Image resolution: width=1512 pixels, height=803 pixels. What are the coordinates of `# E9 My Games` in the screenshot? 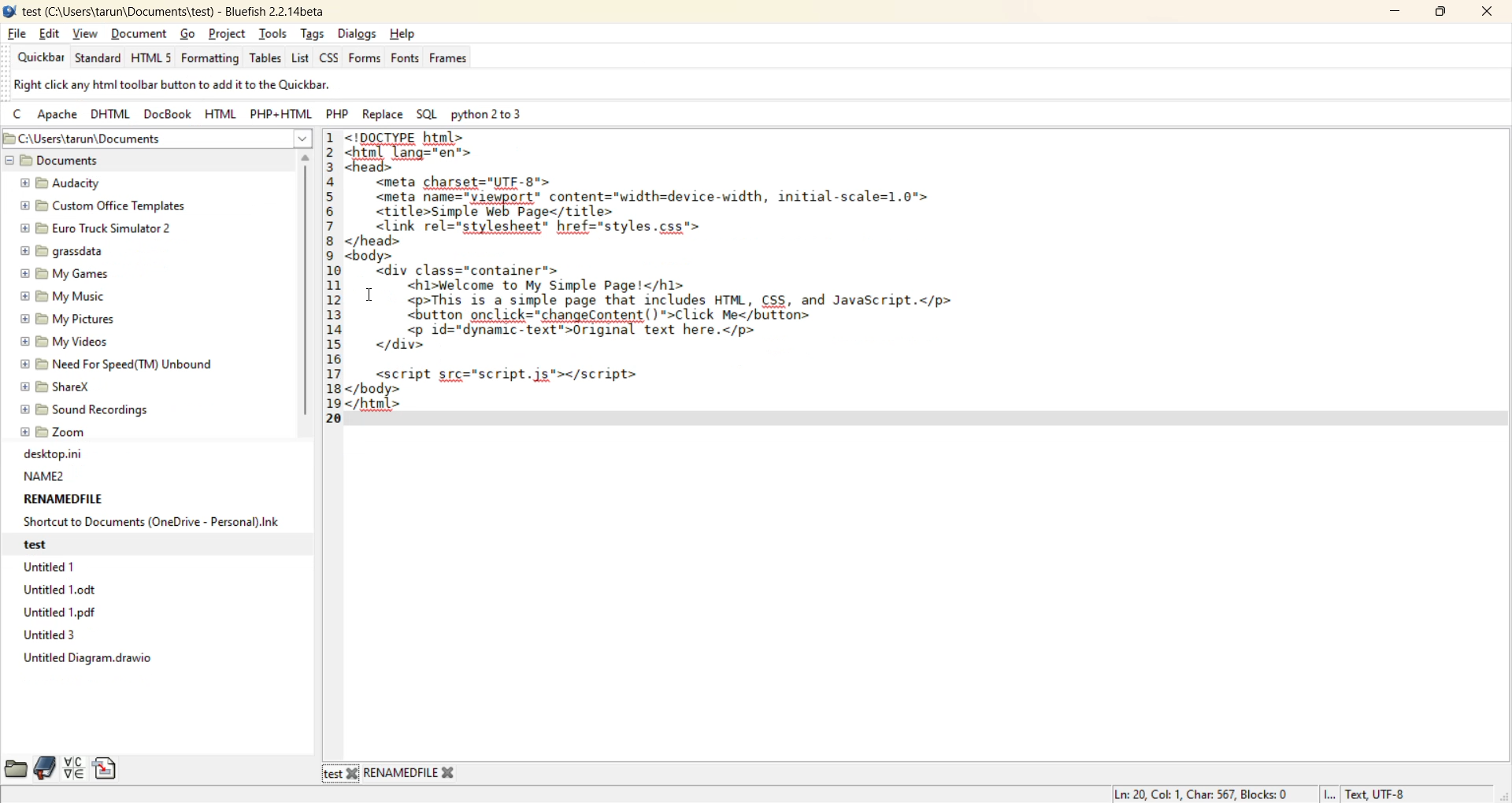 It's located at (69, 273).